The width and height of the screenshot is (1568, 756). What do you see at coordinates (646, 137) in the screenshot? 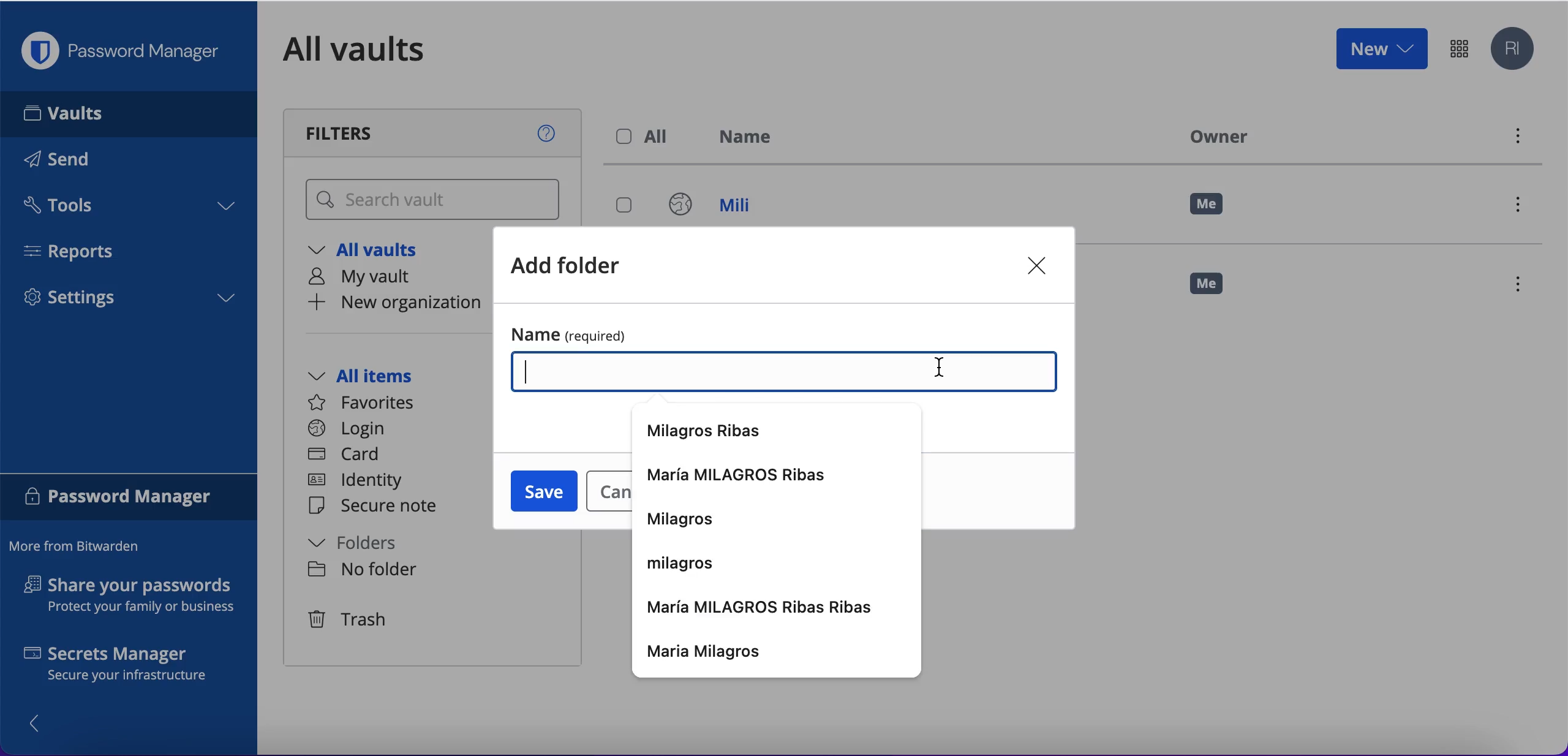
I see `all` at bounding box center [646, 137].